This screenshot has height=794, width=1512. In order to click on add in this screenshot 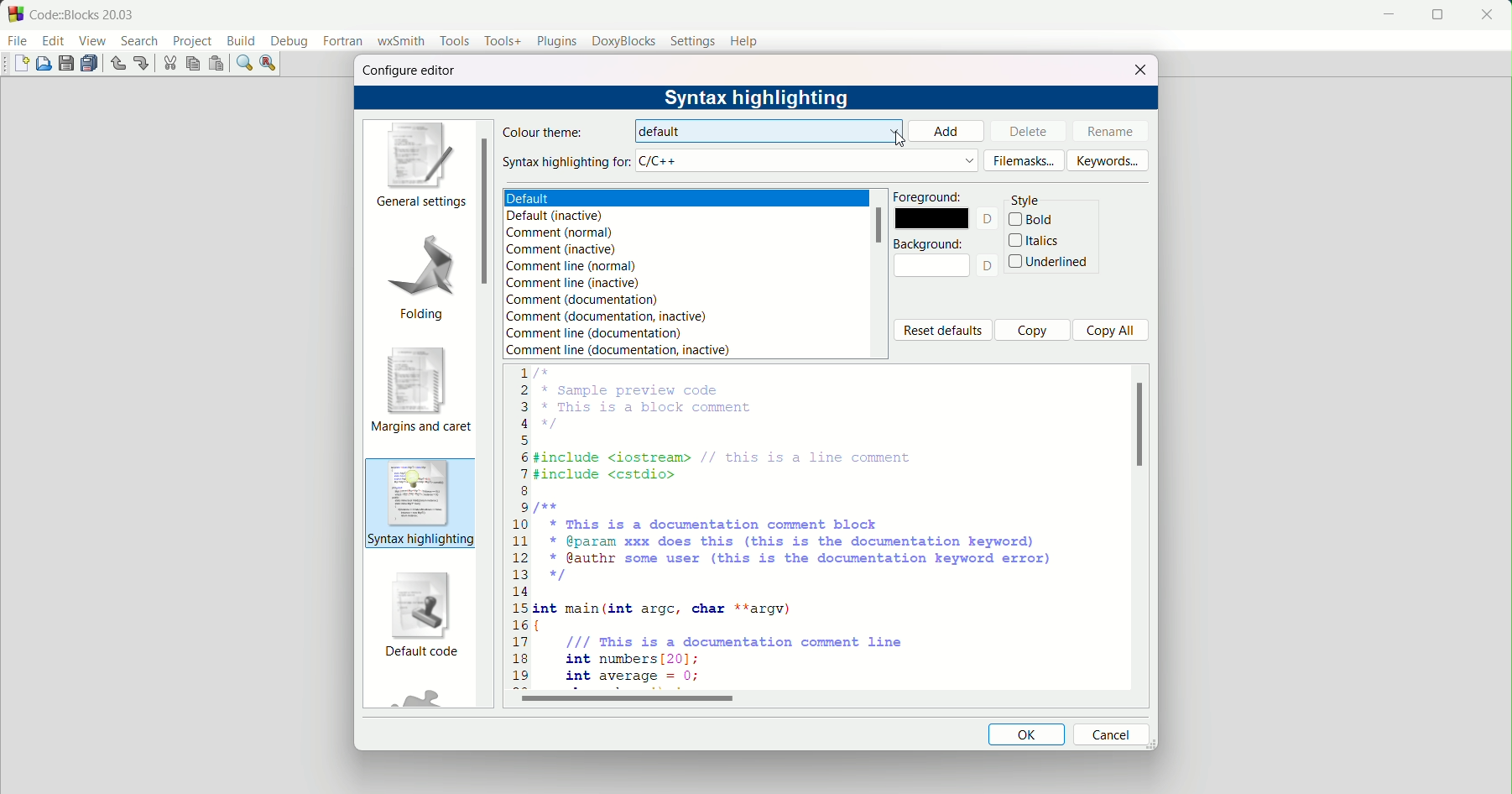, I will do `click(949, 132)`.